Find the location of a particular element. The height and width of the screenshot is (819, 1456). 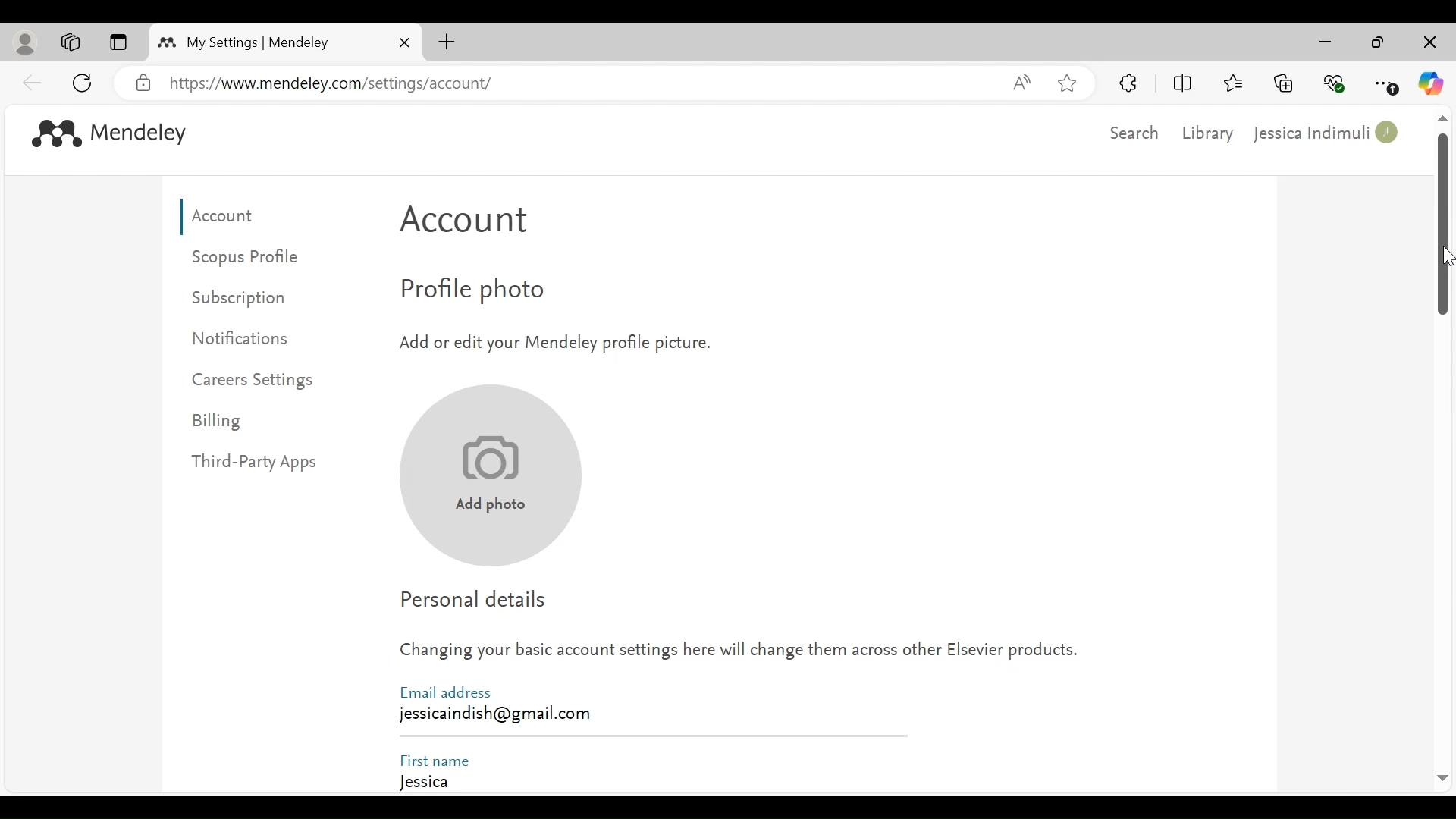

Maximize is located at coordinates (1378, 44).